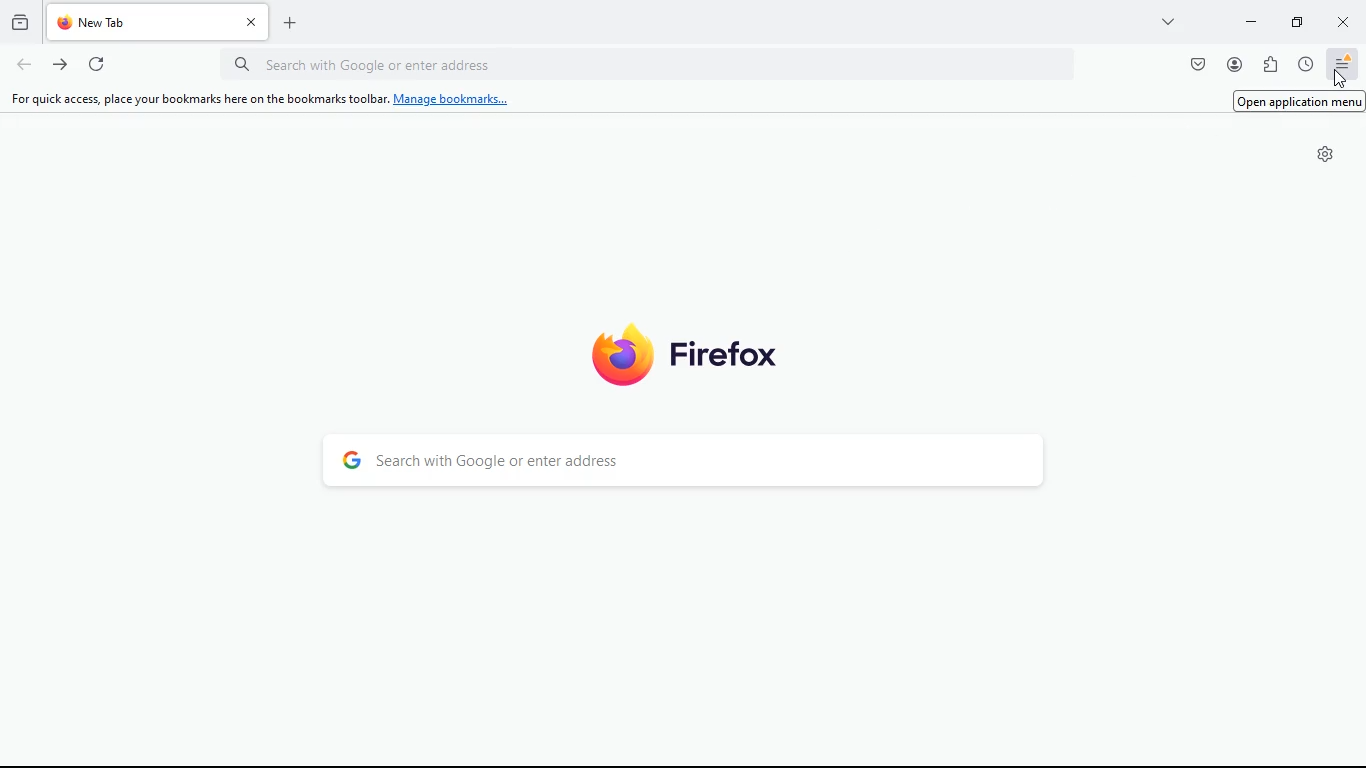 Image resolution: width=1366 pixels, height=768 pixels. Describe the element at coordinates (1194, 65) in the screenshot. I see `pocket` at that location.